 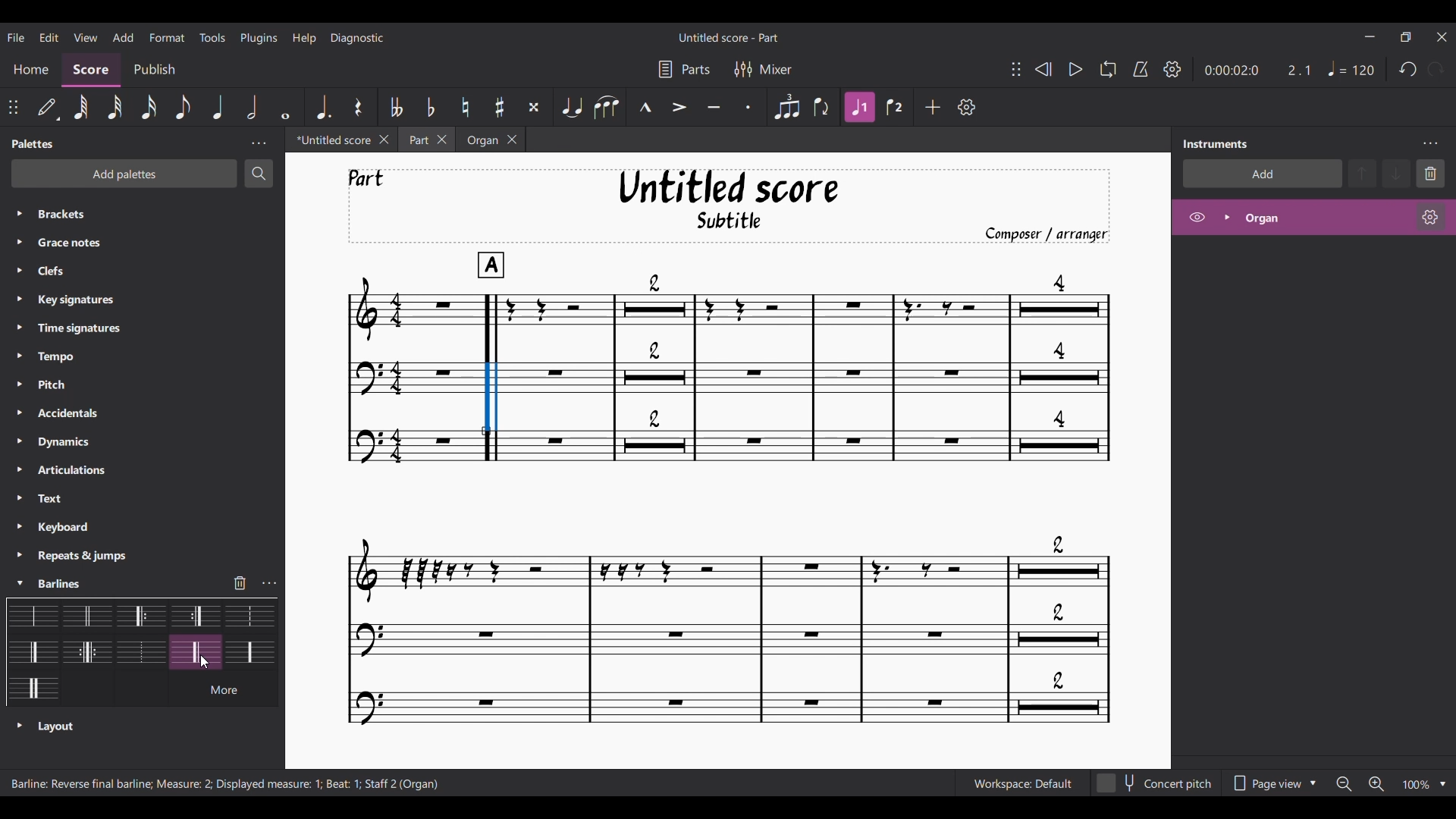 I want to click on Change toolbar position, so click(x=1016, y=69).